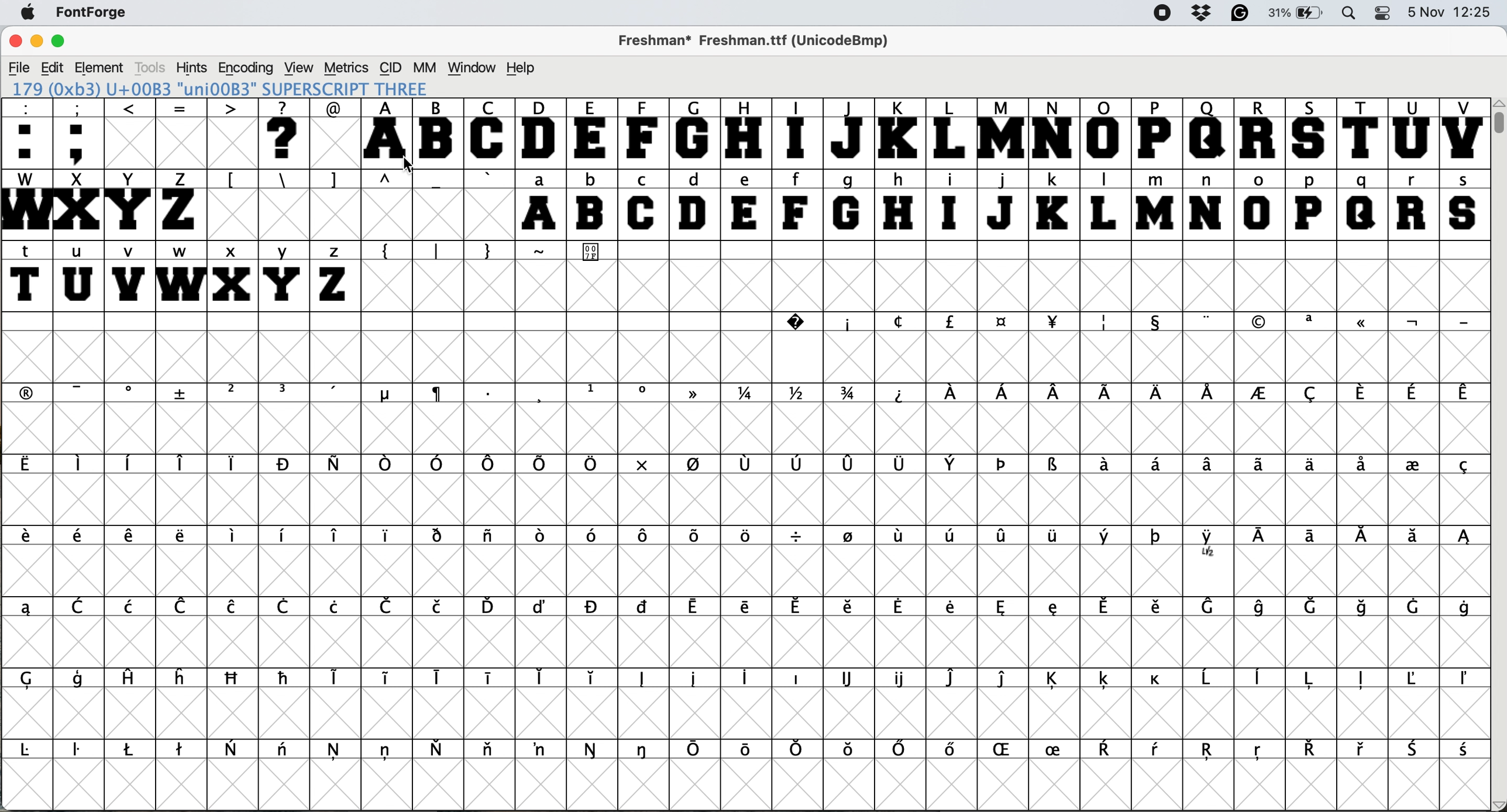 The image size is (1507, 812). What do you see at coordinates (436, 462) in the screenshot?
I see `symbol` at bounding box center [436, 462].